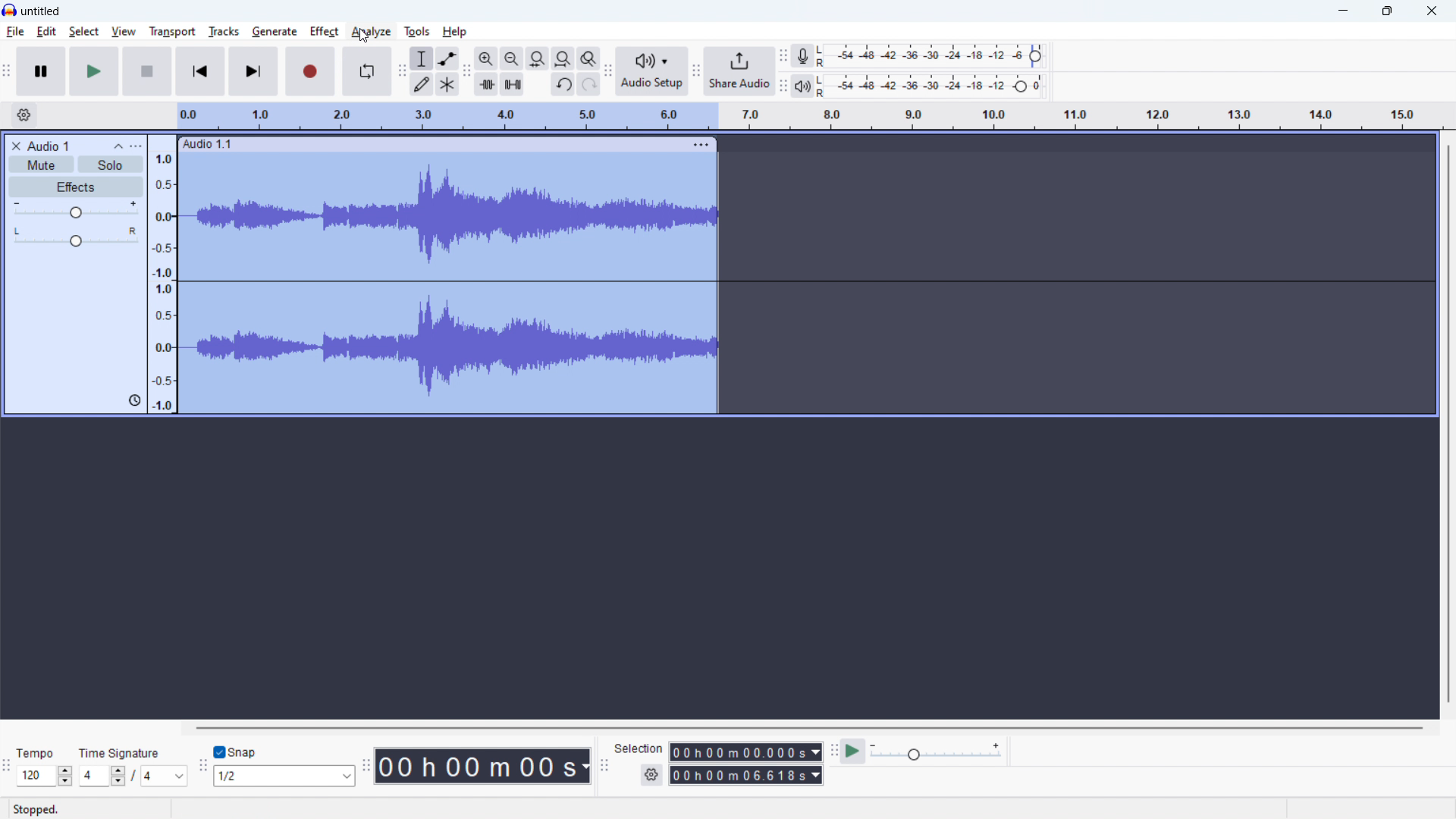 The width and height of the screenshot is (1456, 819). Describe the element at coordinates (371, 31) in the screenshot. I see `analyze` at that location.